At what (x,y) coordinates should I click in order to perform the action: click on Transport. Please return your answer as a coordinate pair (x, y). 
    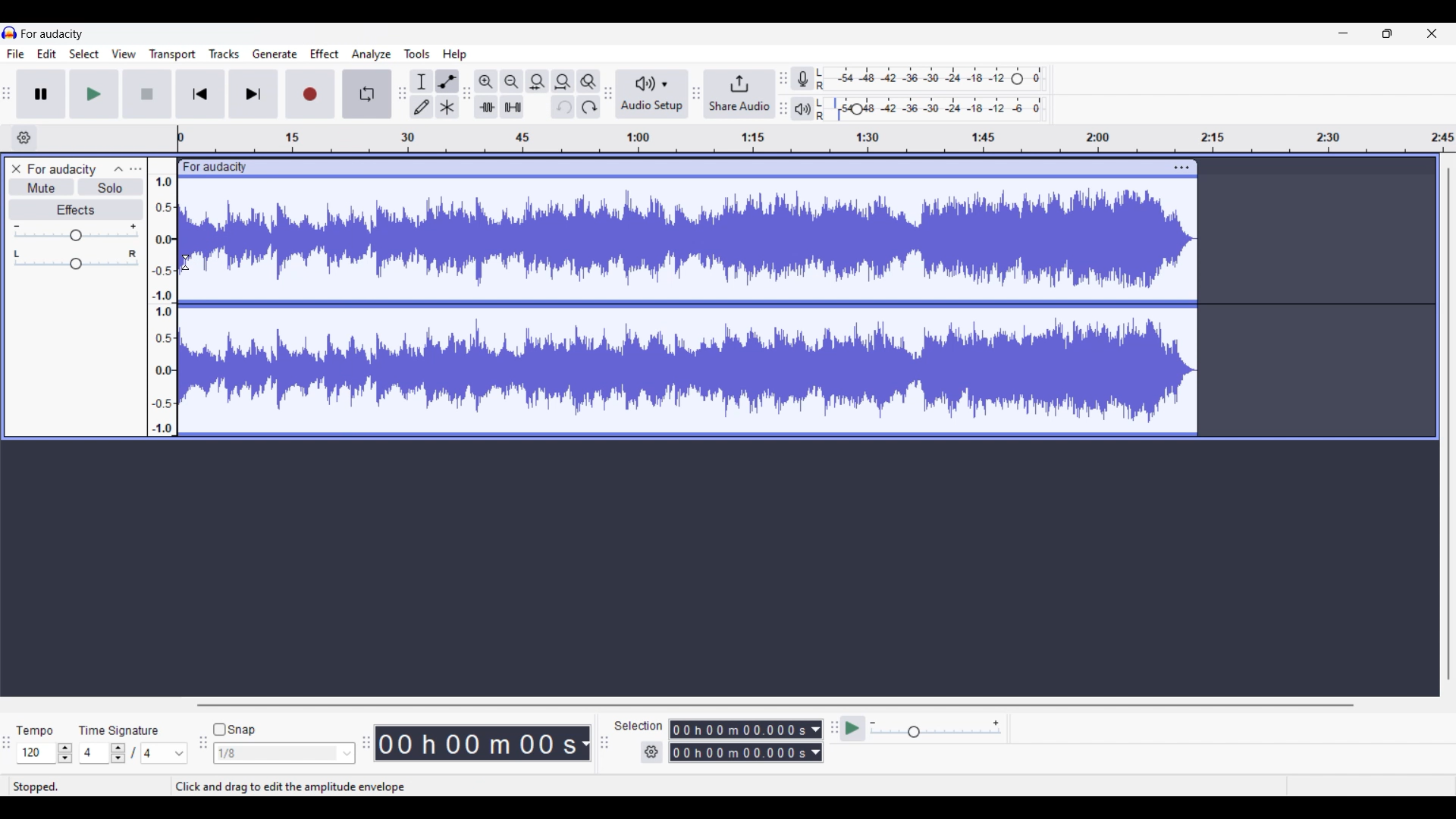
    Looking at the image, I should click on (172, 55).